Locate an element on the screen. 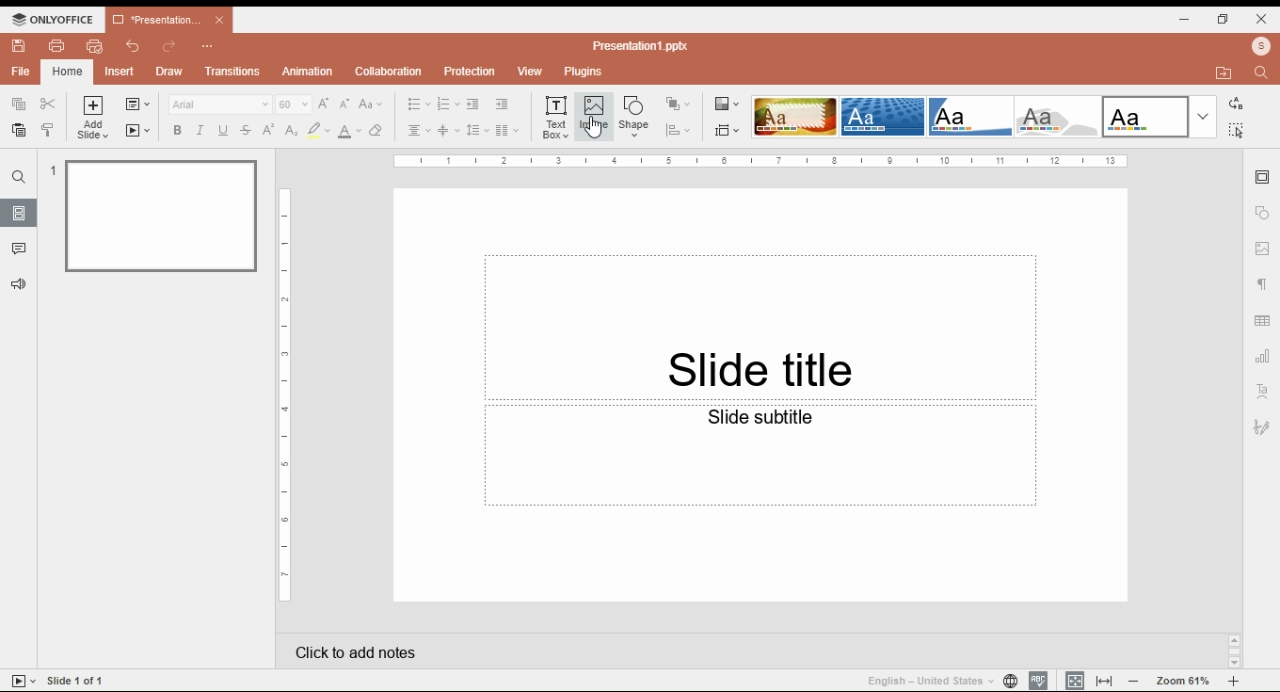 This screenshot has width=1280, height=692. underline is located at coordinates (223, 131).